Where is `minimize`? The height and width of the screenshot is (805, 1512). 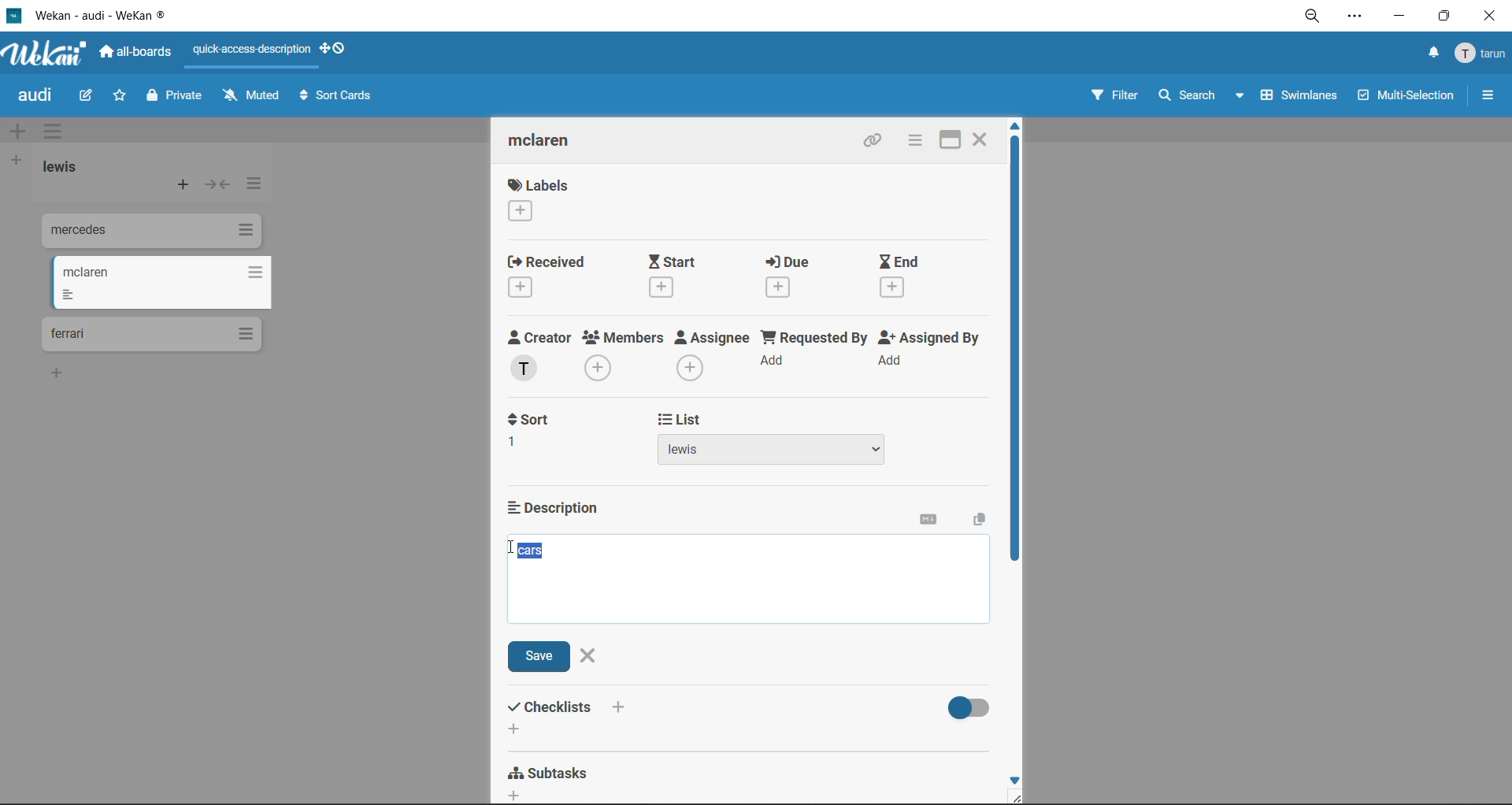
minimize is located at coordinates (1398, 14).